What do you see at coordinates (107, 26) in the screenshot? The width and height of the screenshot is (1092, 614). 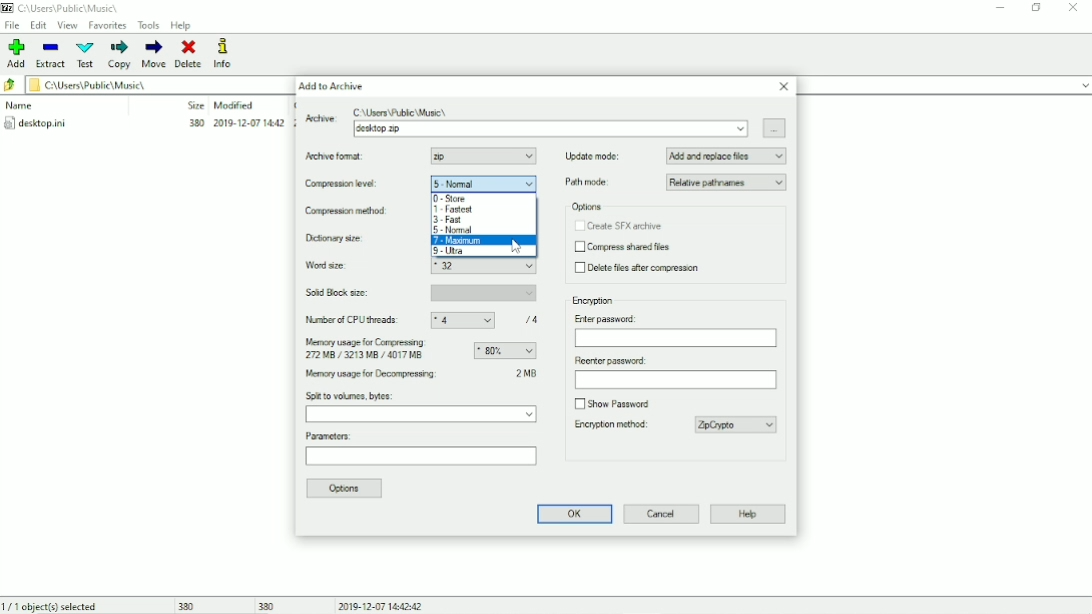 I see `Favorites` at bounding box center [107, 26].